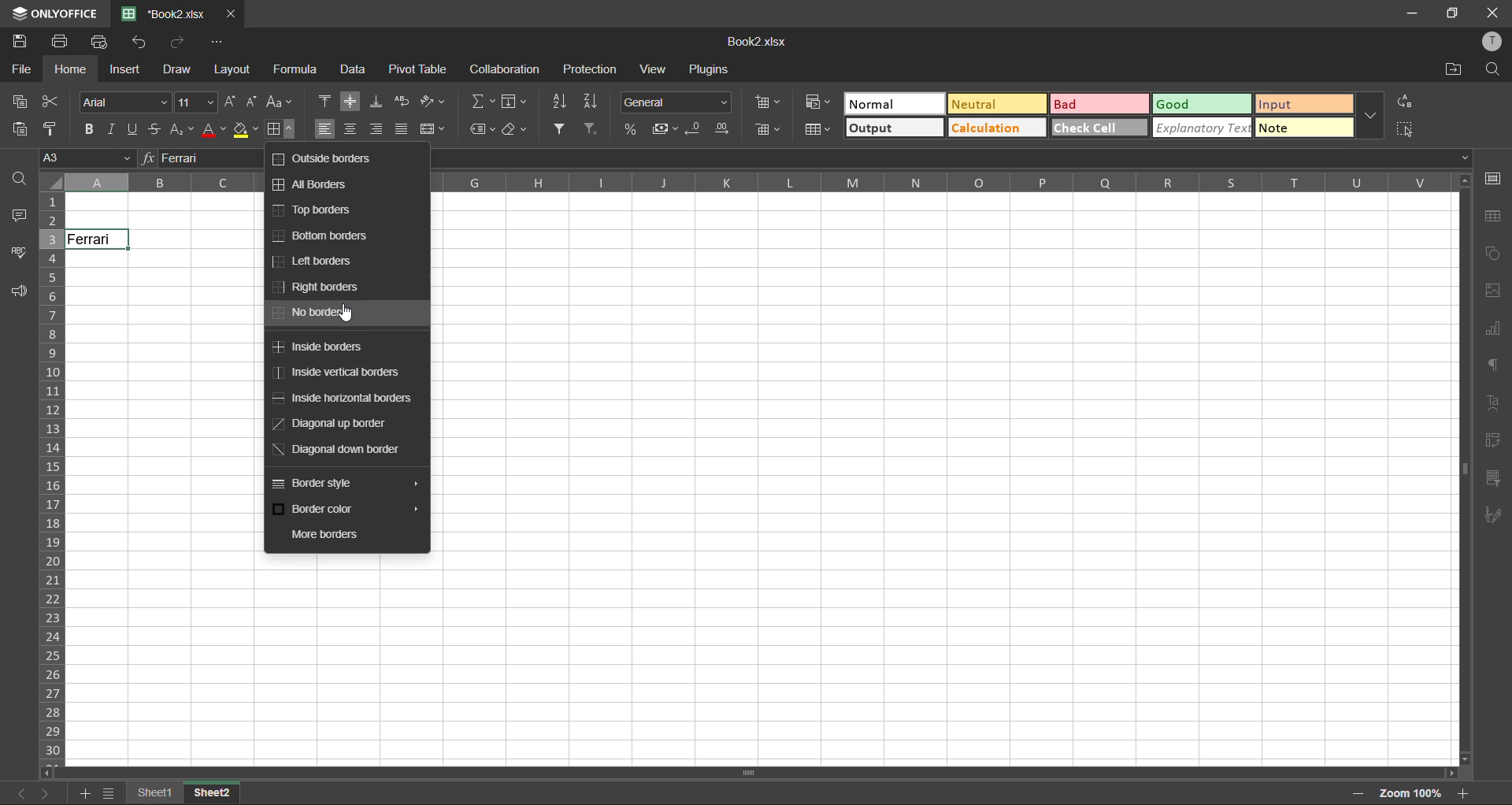 The width and height of the screenshot is (1512, 805). What do you see at coordinates (1304, 127) in the screenshot?
I see `note` at bounding box center [1304, 127].